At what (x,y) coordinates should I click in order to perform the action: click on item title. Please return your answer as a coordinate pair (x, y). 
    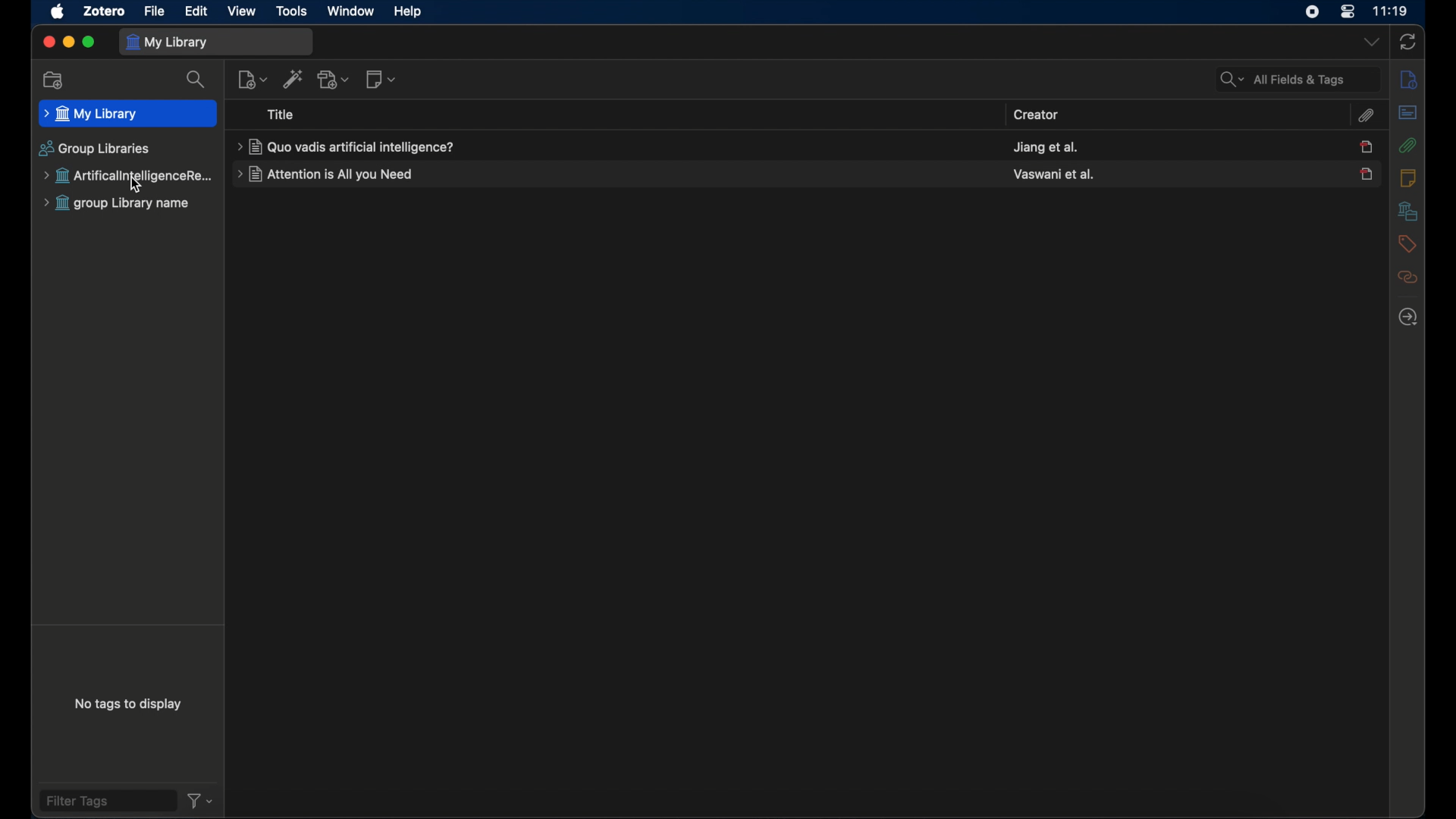
    Looking at the image, I should click on (346, 146).